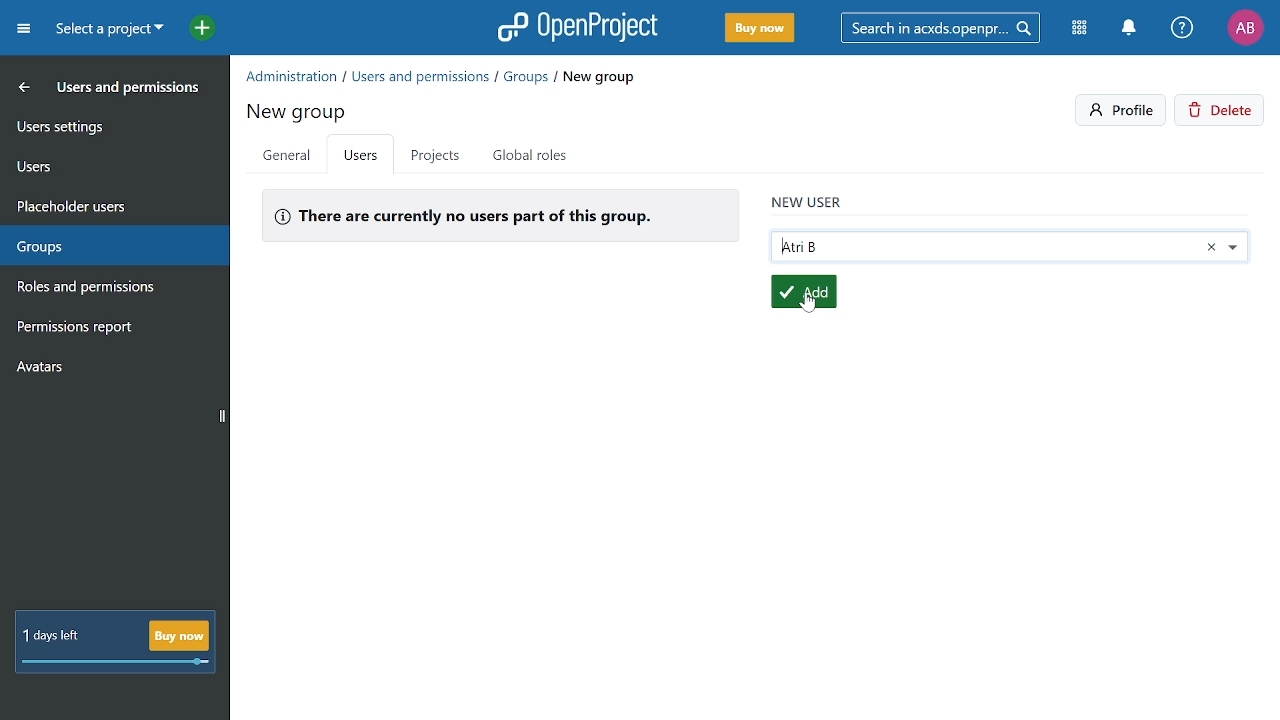  What do you see at coordinates (807, 199) in the screenshot?
I see `new user` at bounding box center [807, 199].